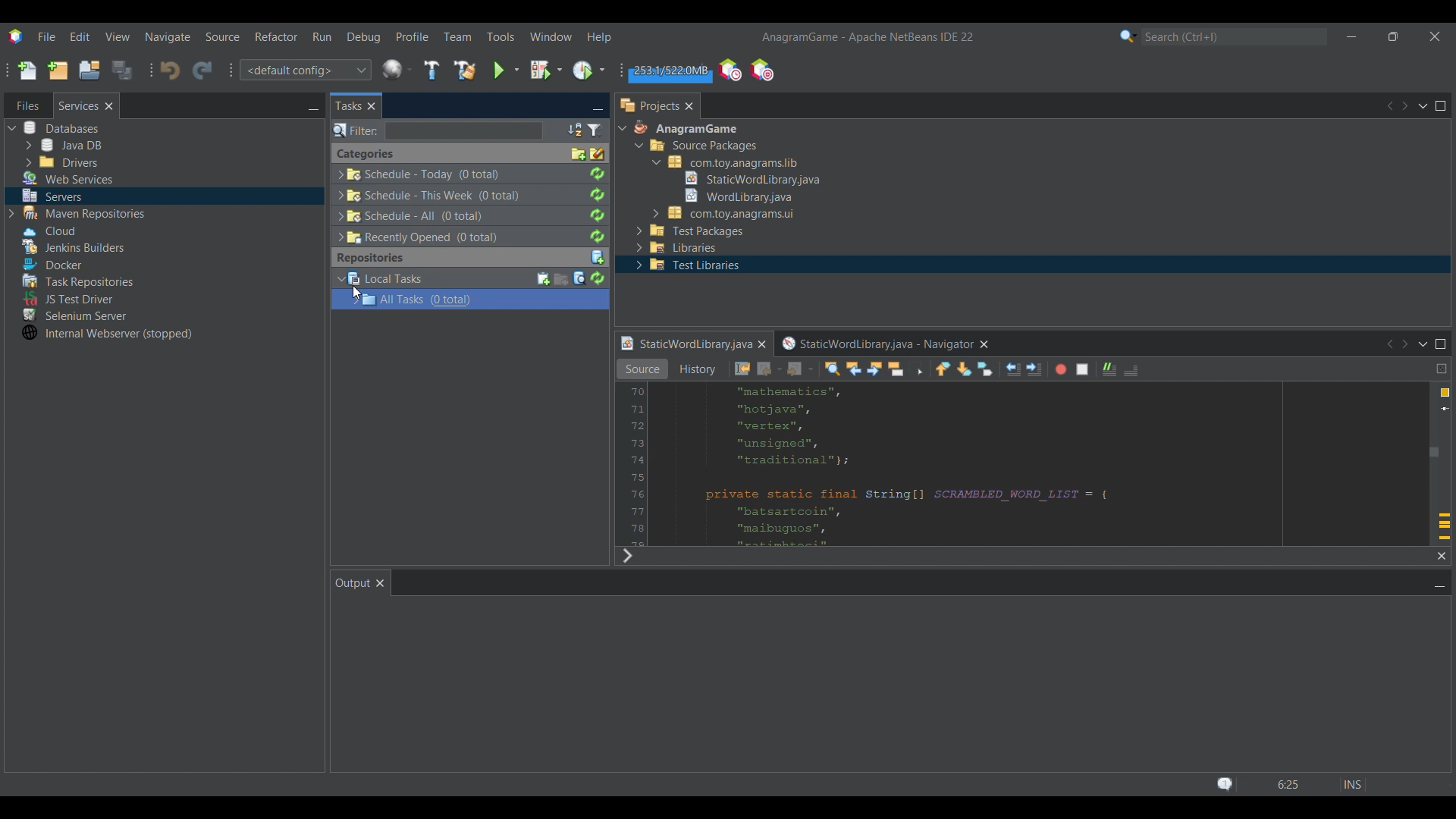  I want to click on New project, so click(57, 71).